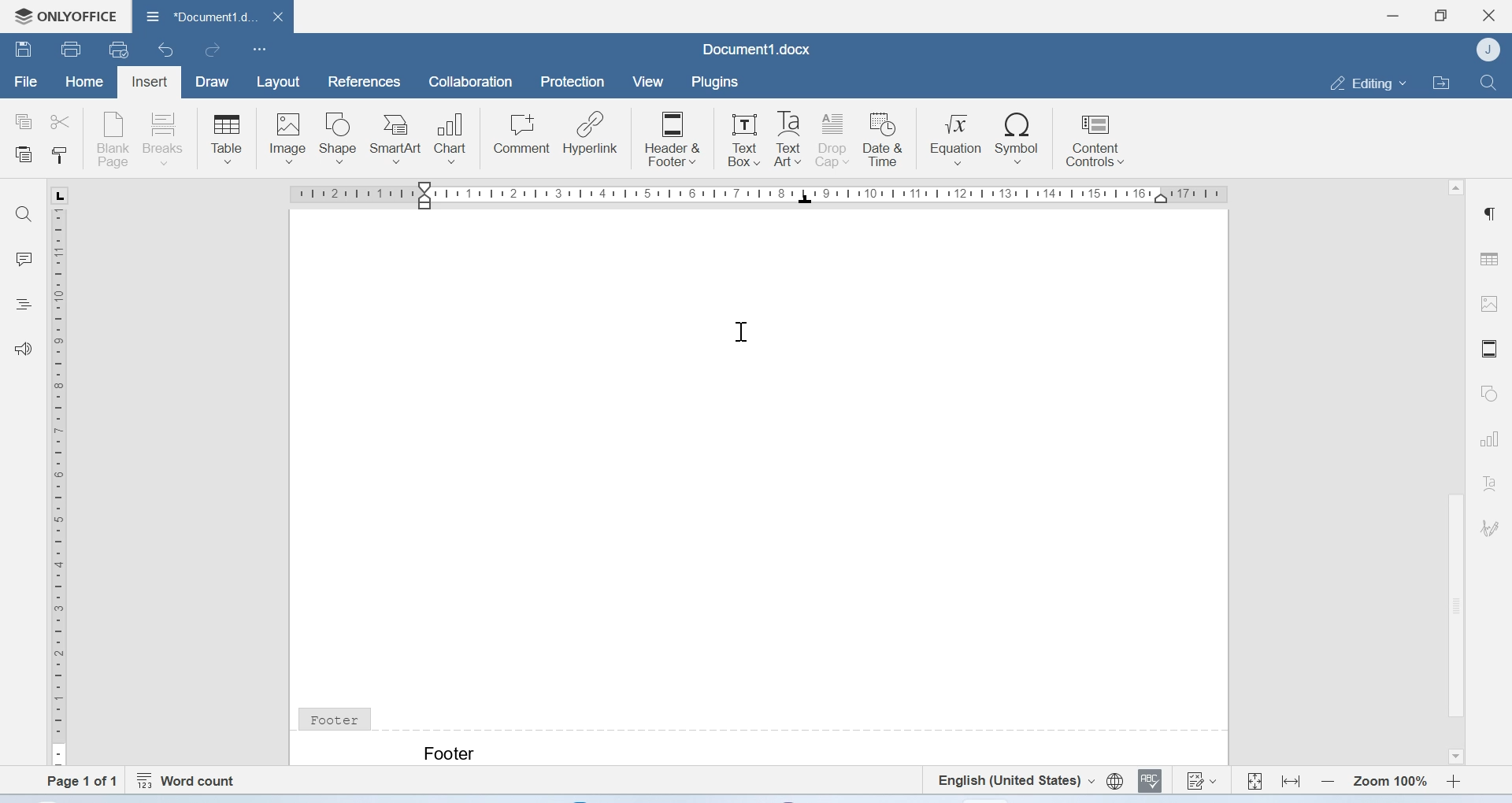 The width and height of the screenshot is (1512, 803). I want to click on Table, so click(1492, 254).